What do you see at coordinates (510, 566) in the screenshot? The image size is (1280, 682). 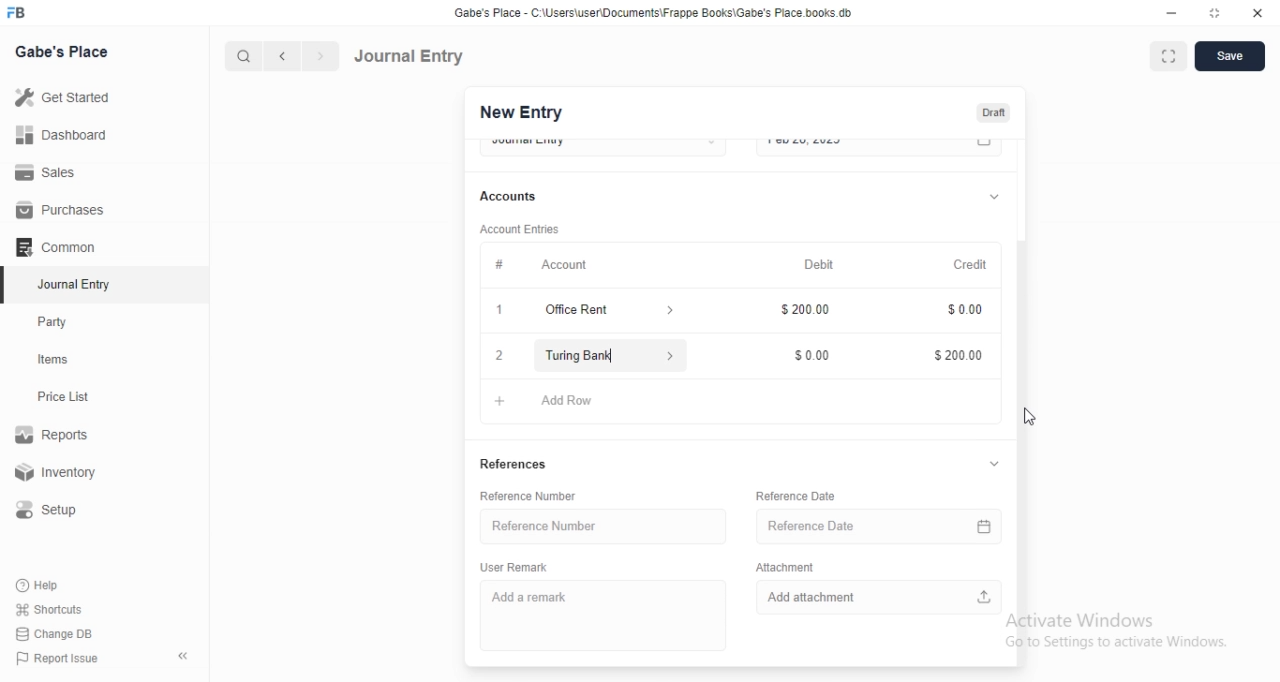 I see `User Remark.` at bounding box center [510, 566].